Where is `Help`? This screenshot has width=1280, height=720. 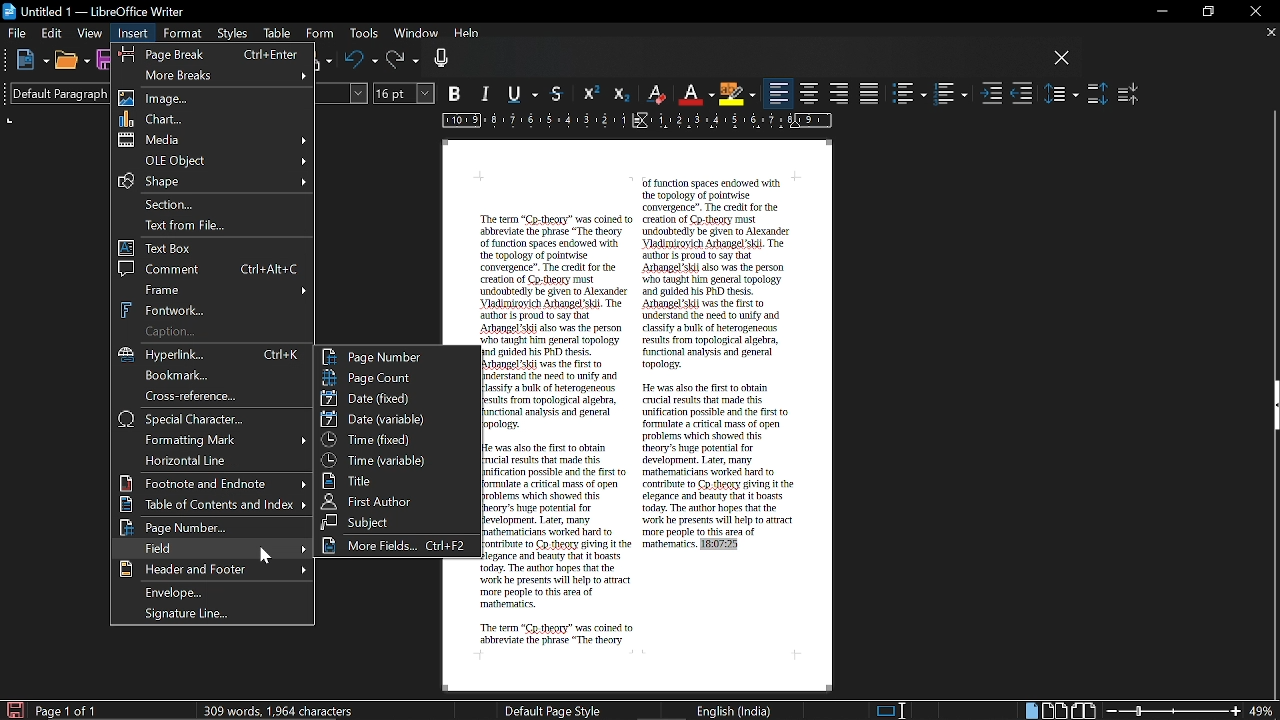 Help is located at coordinates (468, 36).